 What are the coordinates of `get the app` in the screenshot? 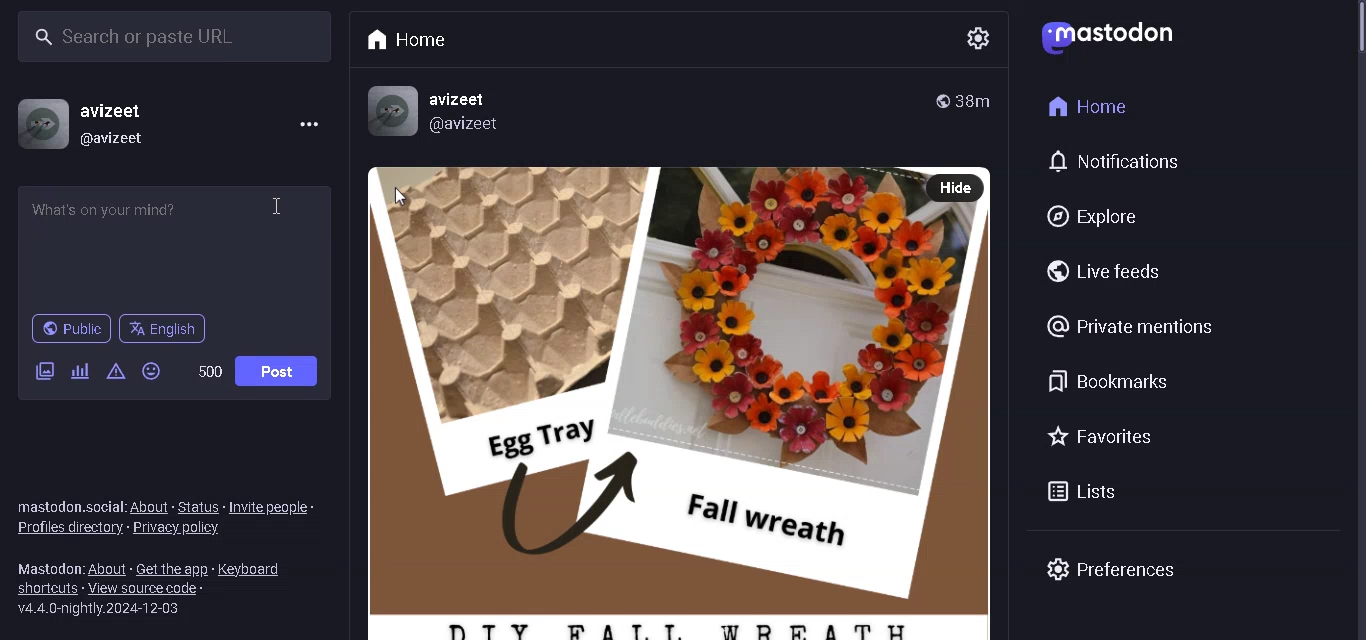 It's located at (170, 567).